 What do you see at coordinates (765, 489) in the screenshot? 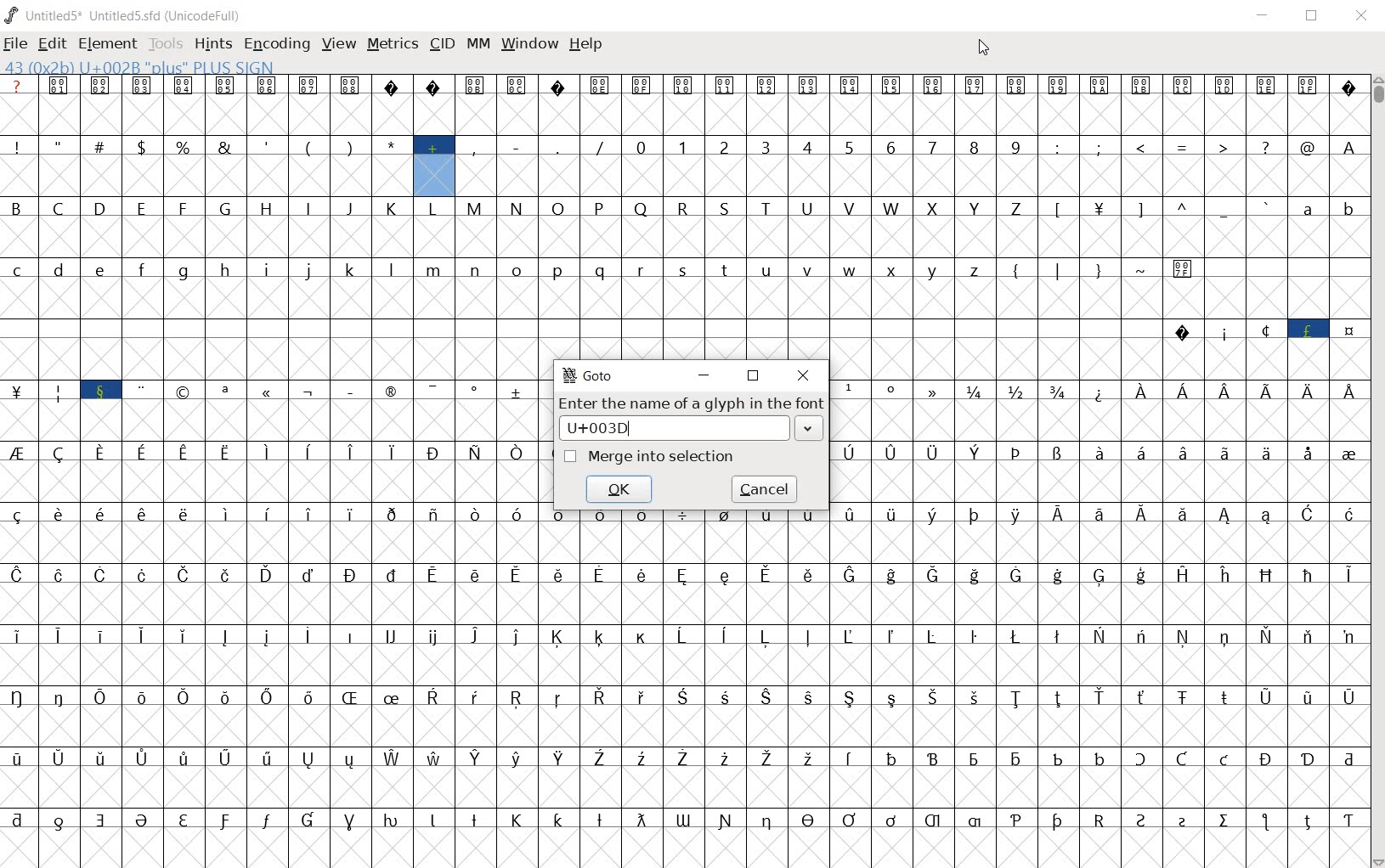
I see `cancel` at bounding box center [765, 489].